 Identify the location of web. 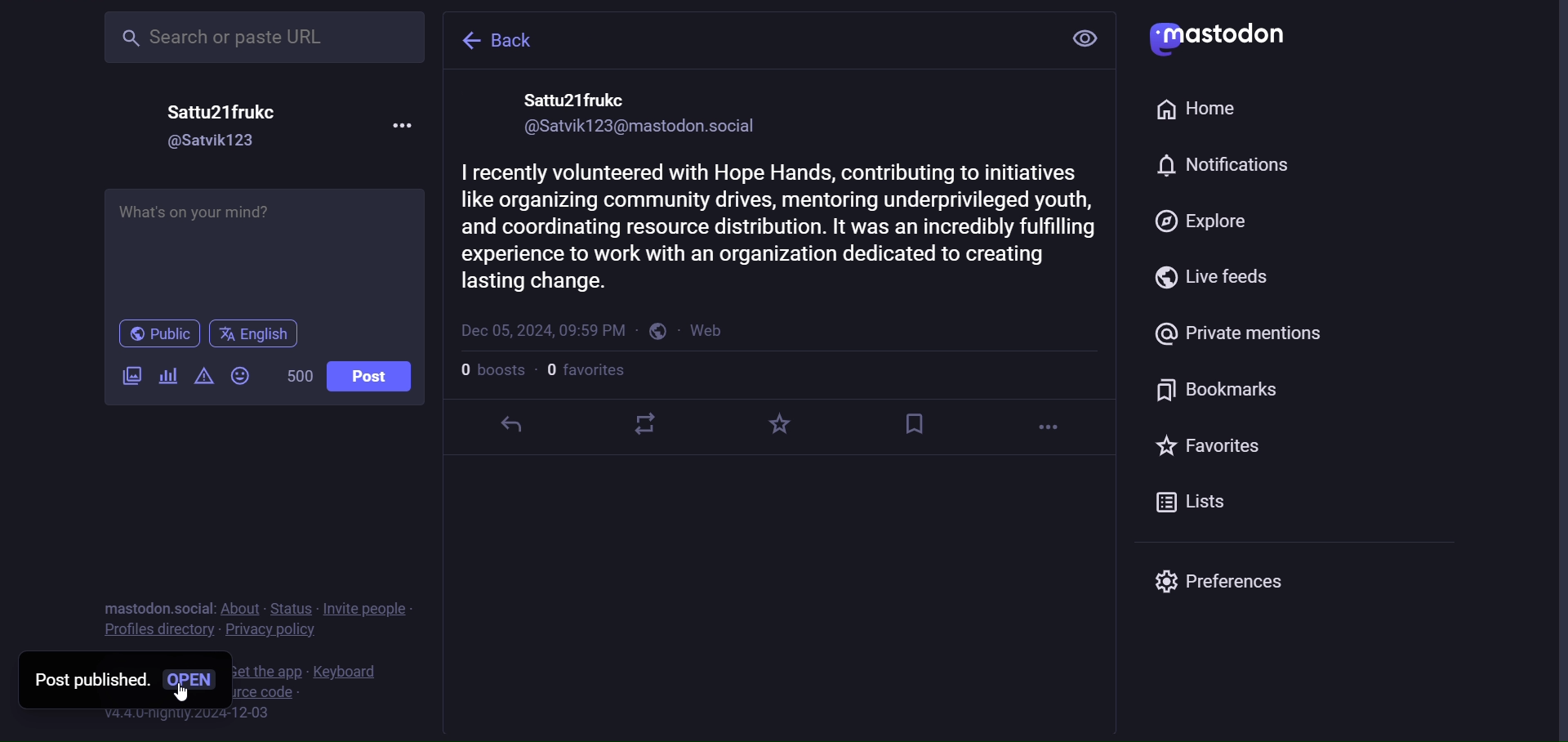
(710, 333).